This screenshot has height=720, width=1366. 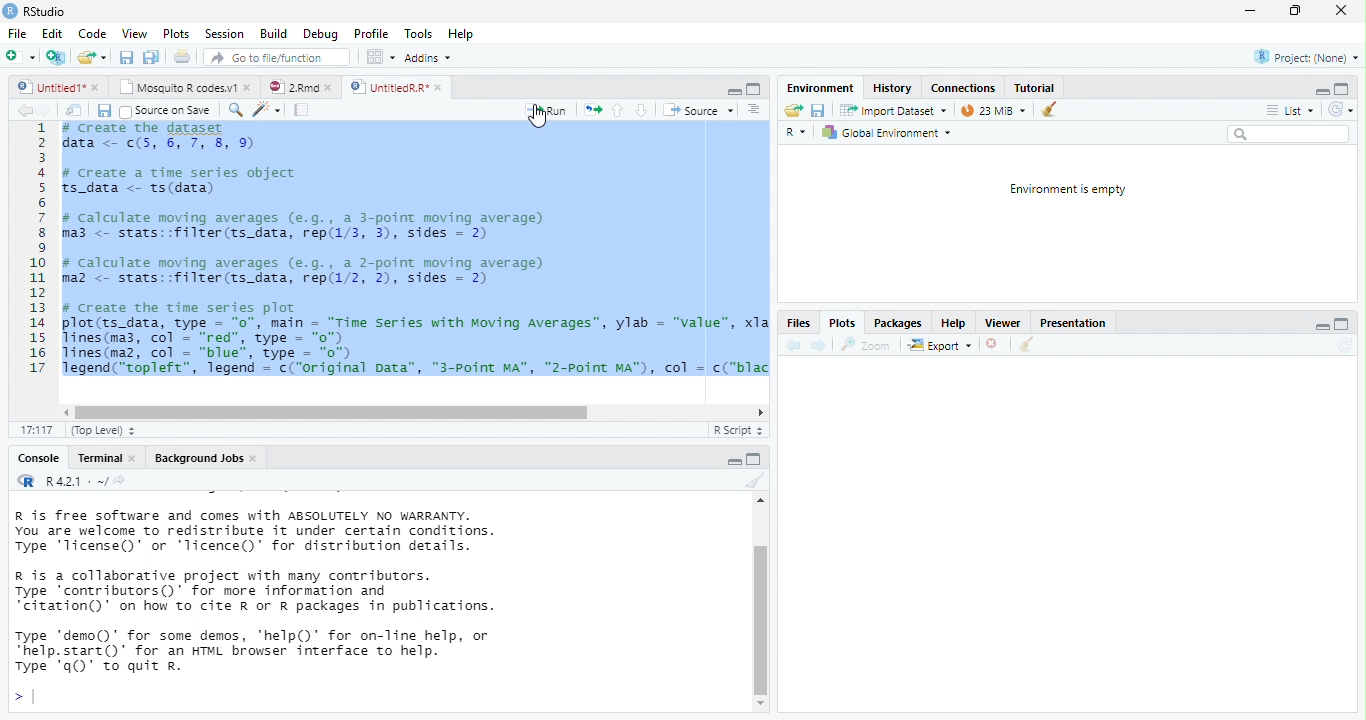 I want to click on horizontal scrollbar, so click(x=332, y=413).